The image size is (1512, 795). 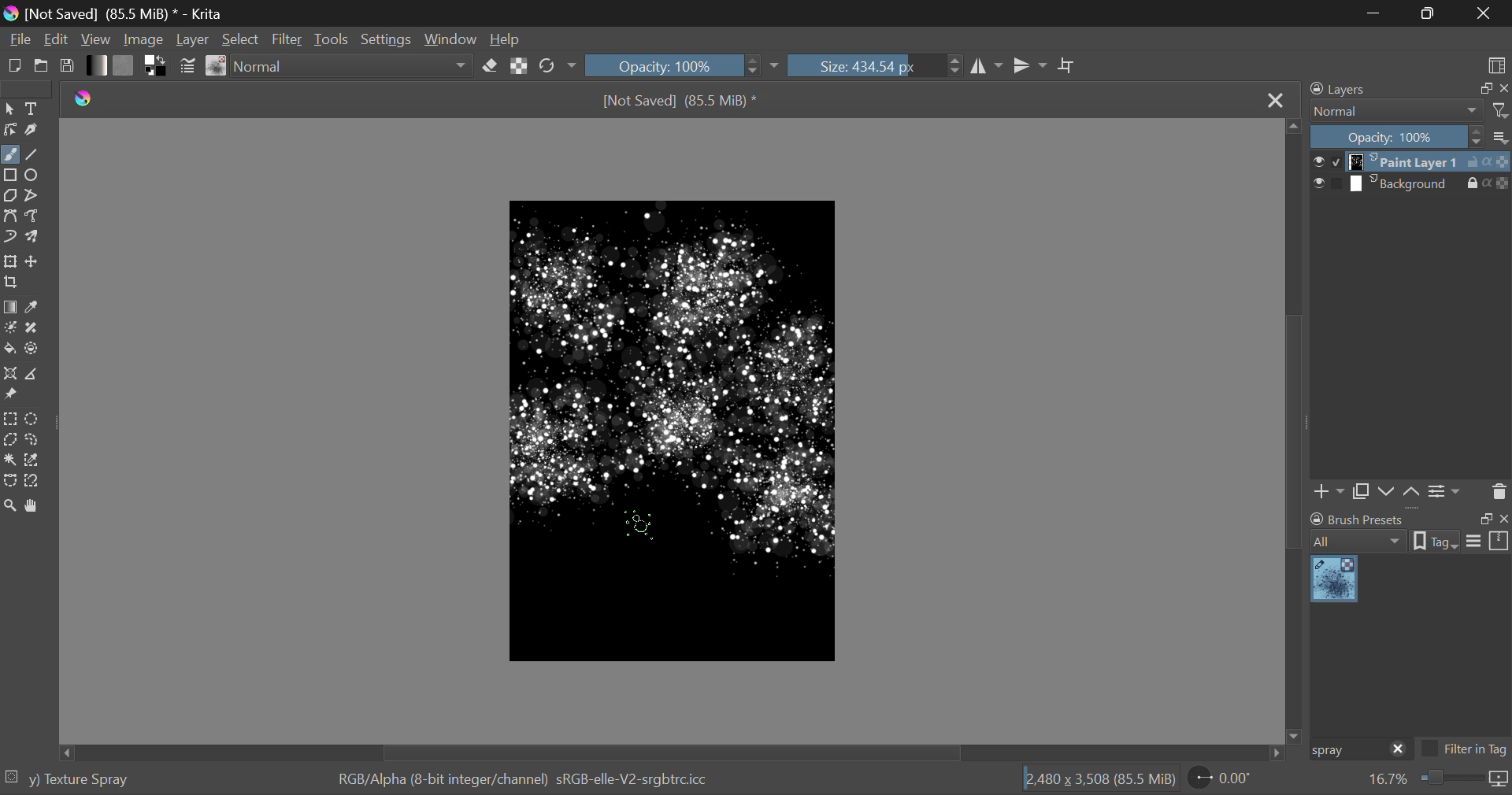 What do you see at coordinates (9, 156) in the screenshot?
I see `Freehand Paintbrush selected` at bounding box center [9, 156].